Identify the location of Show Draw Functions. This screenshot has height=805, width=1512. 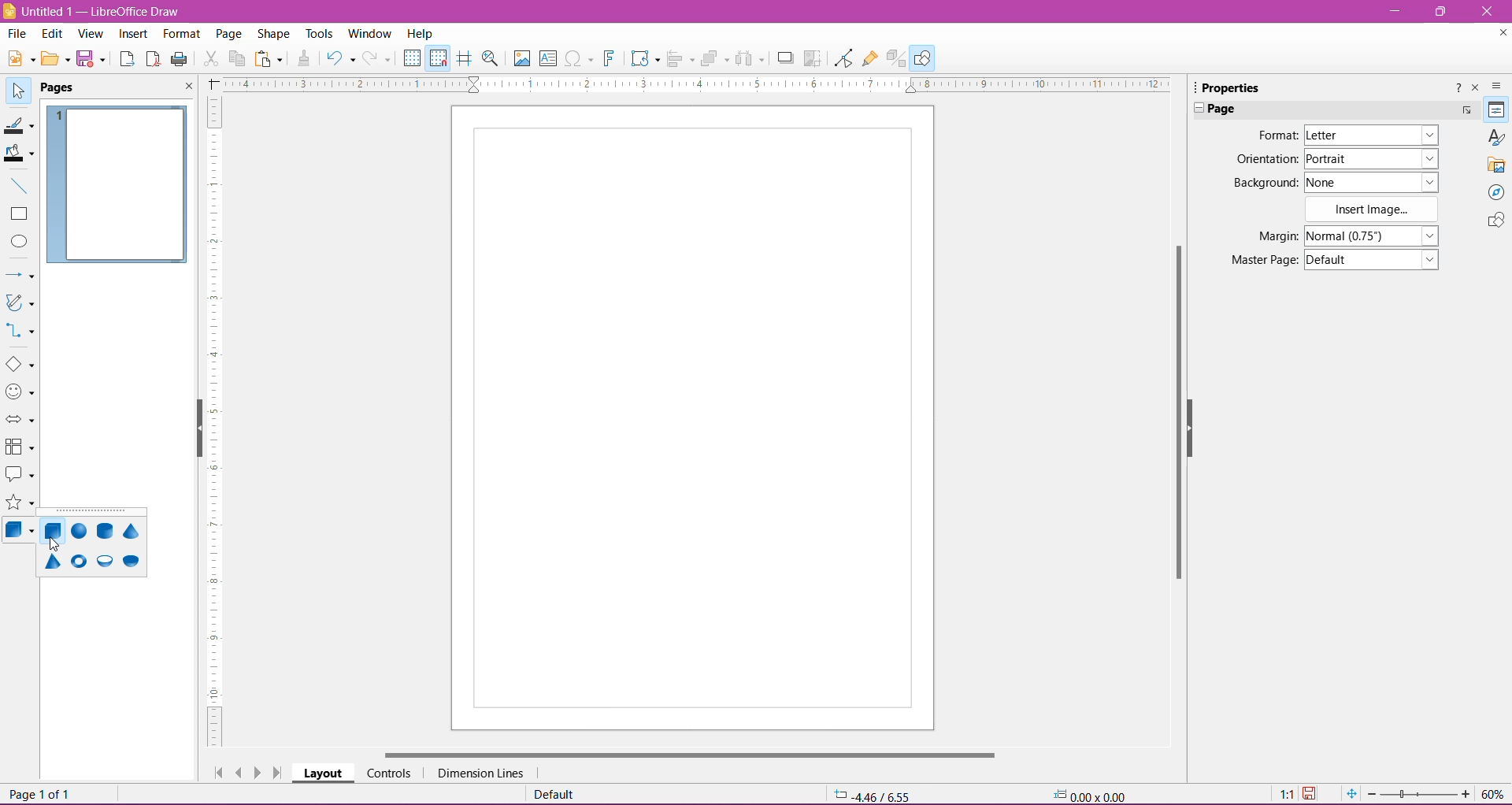
(922, 57).